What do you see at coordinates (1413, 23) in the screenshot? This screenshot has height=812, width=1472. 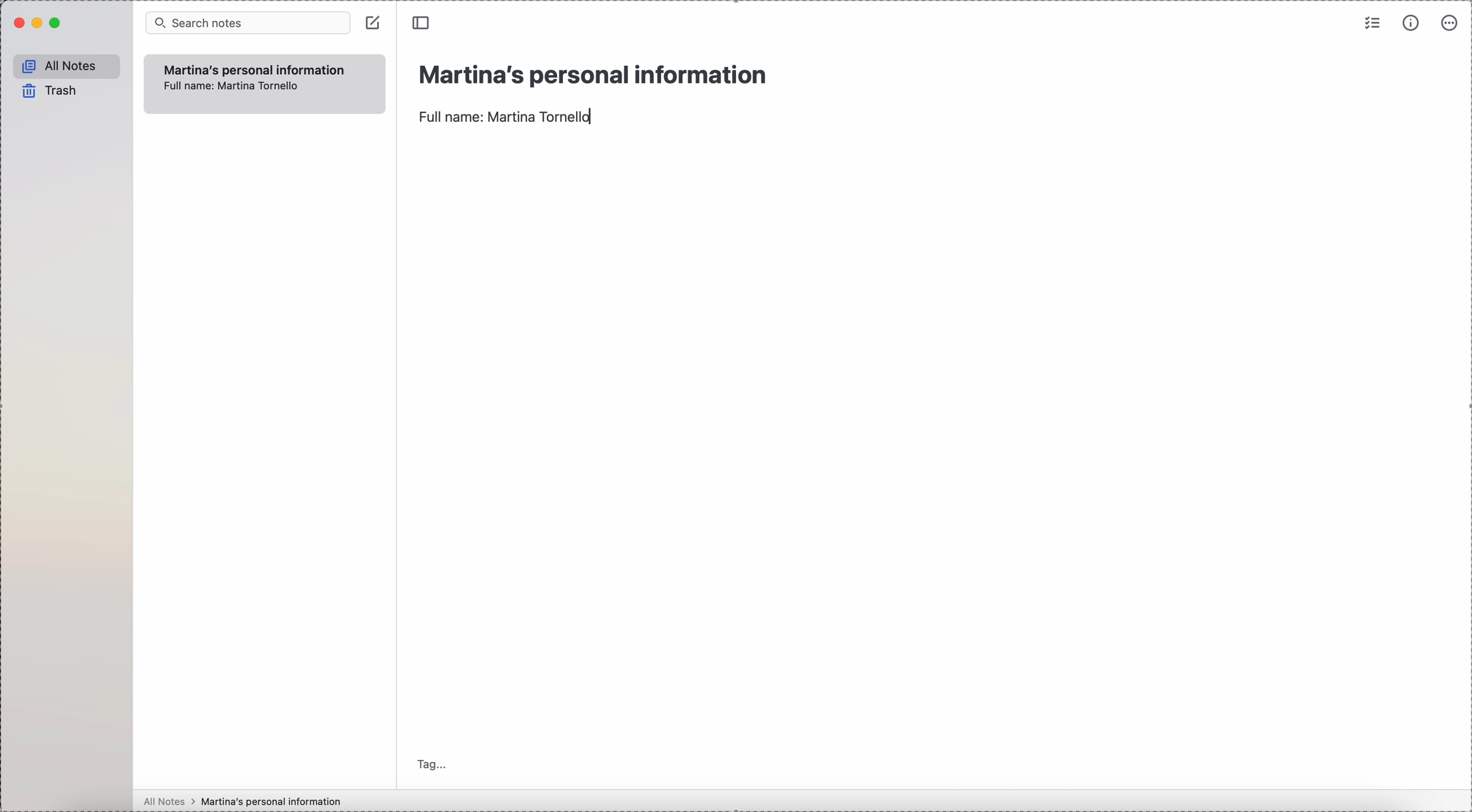 I see `metrics` at bounding box center [1413, 23].